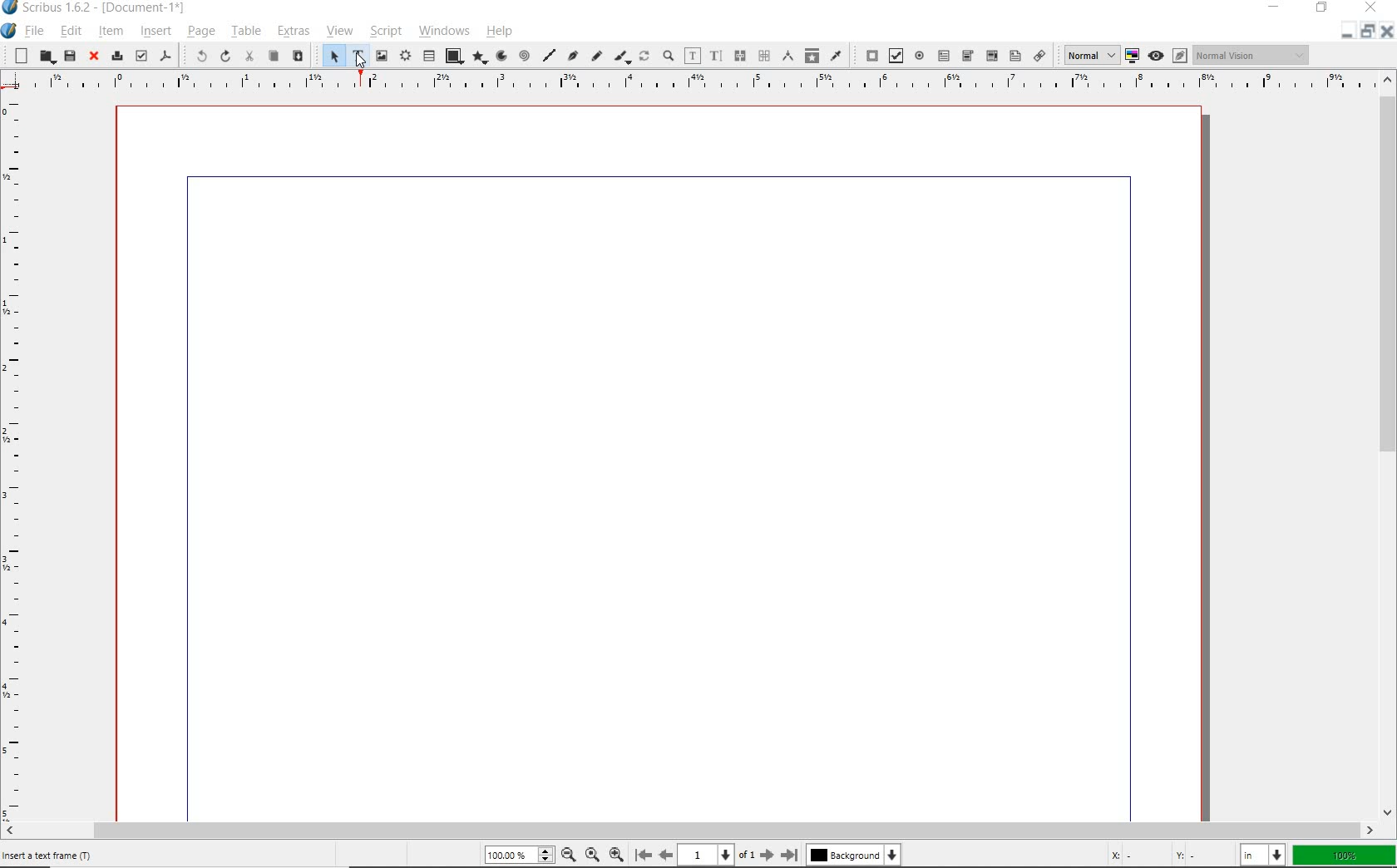 The width and height of the screenshot is (1397, 868). What do you see at coordinates (446, 32) in the screenshot?
I see `windows` at bounding box center [446, 32].